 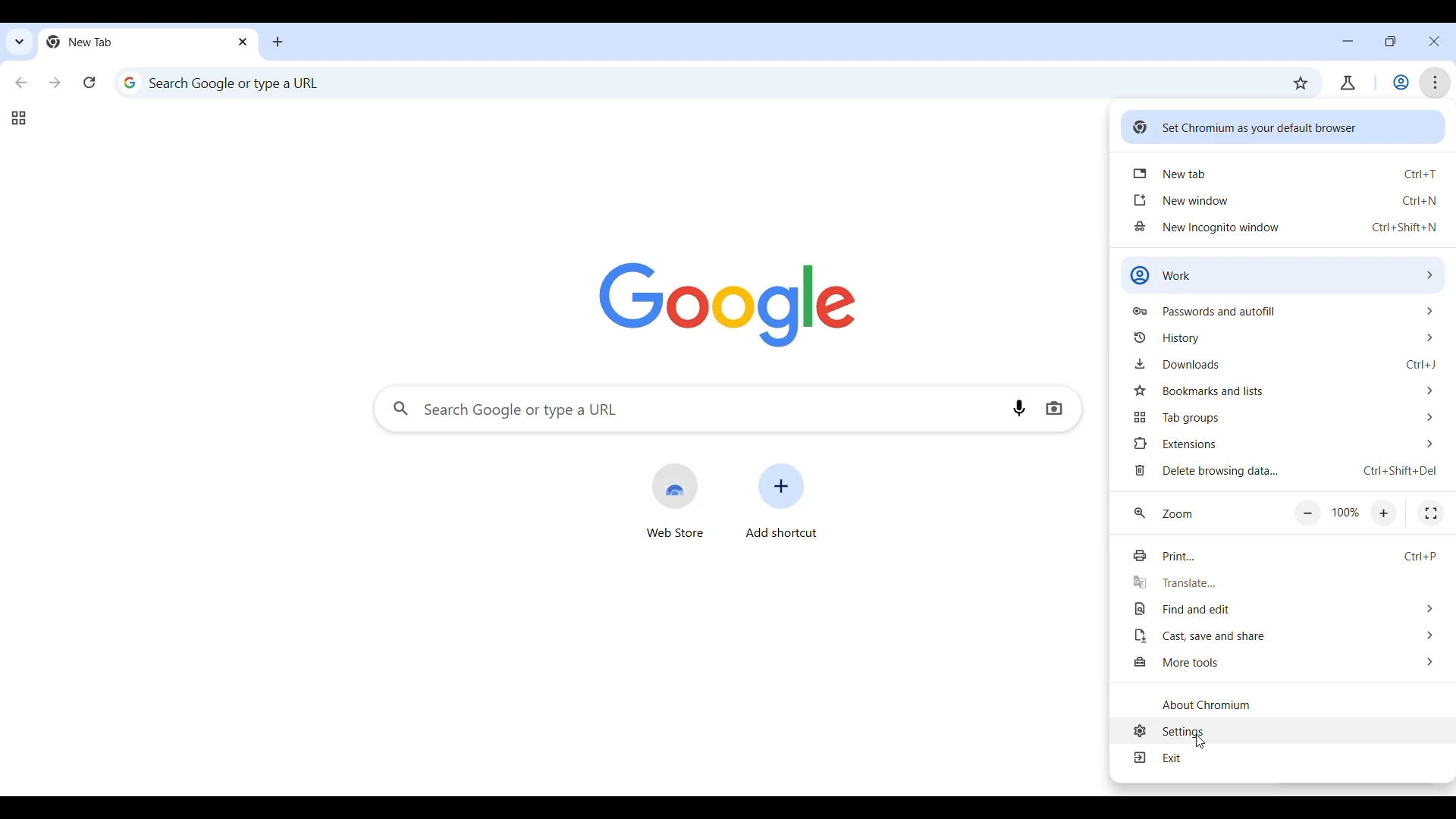 What do you see at coordinates (1204, 742) in the screenshot?
I see `Cursor clicking on settings` at bounding box center [1204, 742].